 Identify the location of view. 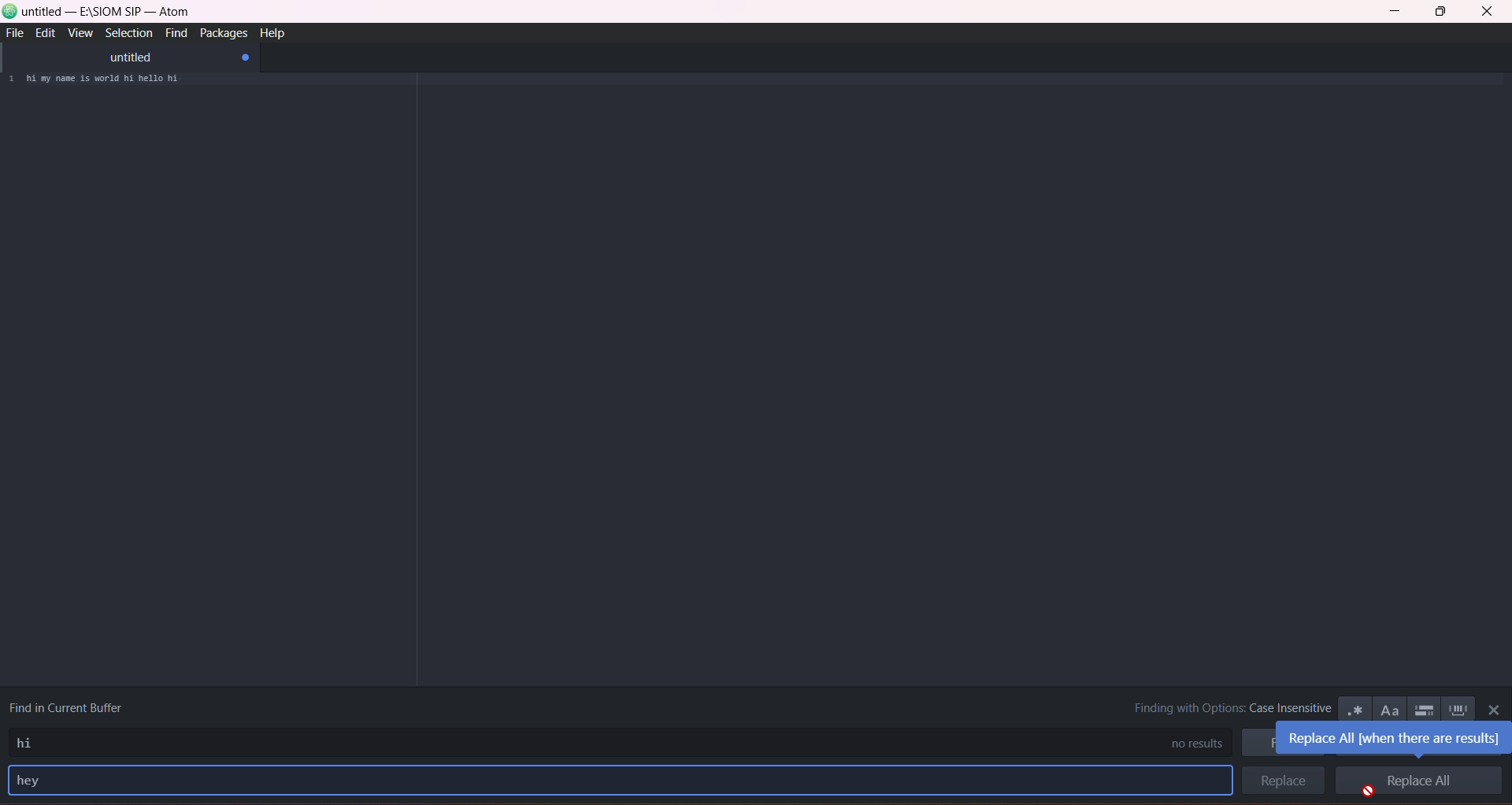
(80, 34).